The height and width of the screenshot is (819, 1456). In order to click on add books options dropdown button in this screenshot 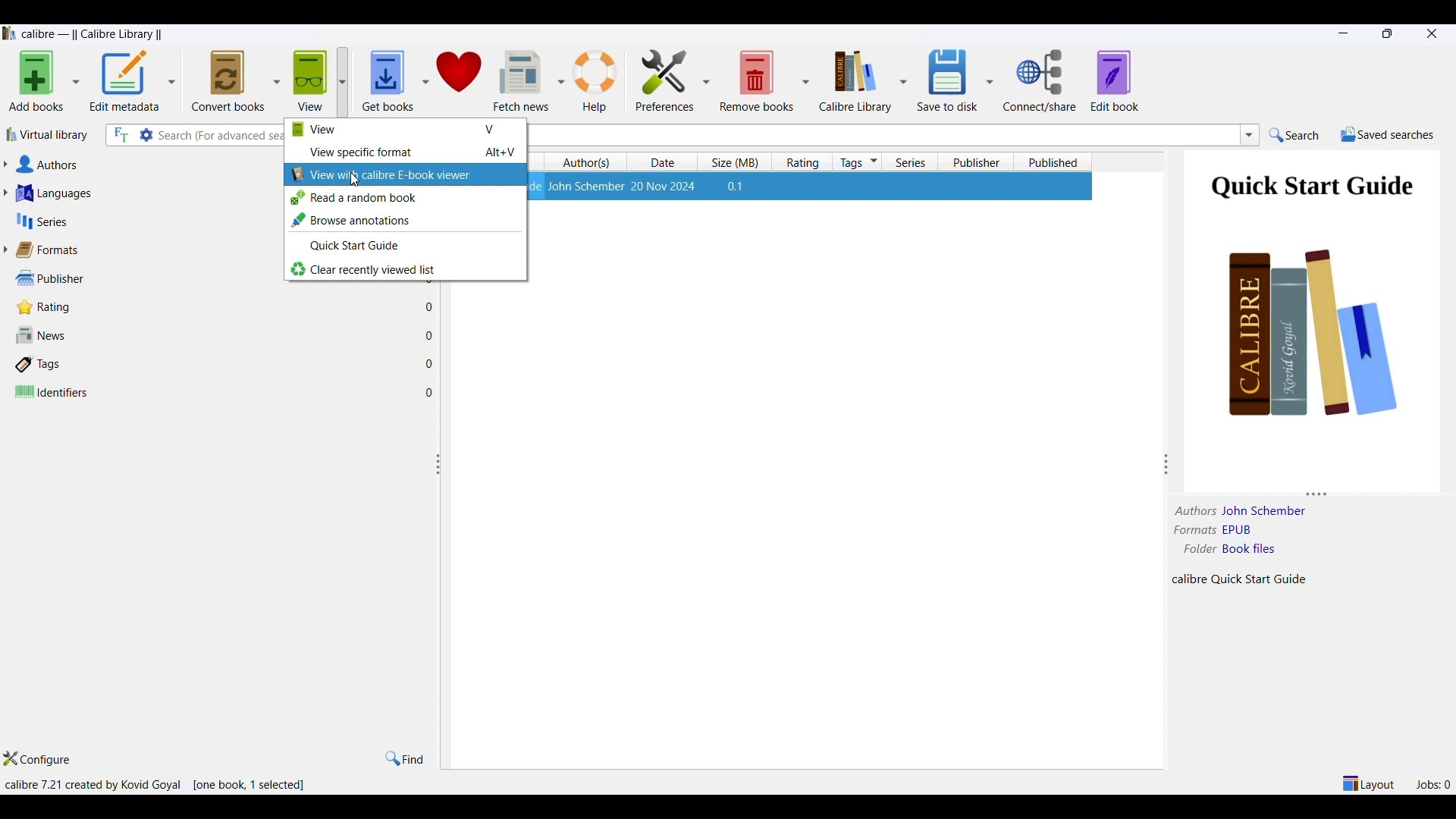, I will do `click(75, 83)`.